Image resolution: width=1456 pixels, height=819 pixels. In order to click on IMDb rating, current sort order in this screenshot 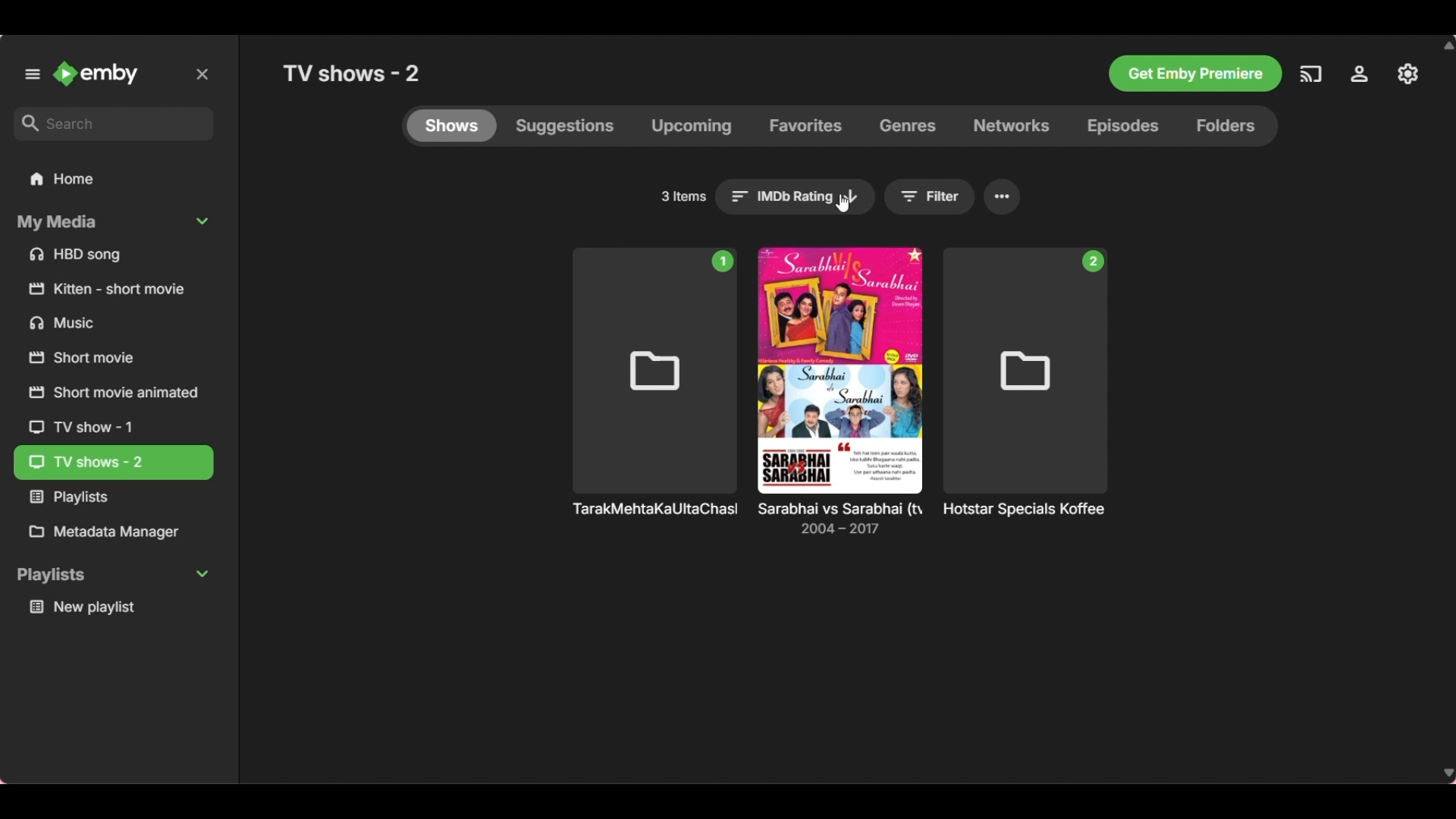, I will do `click(796, 197)`.